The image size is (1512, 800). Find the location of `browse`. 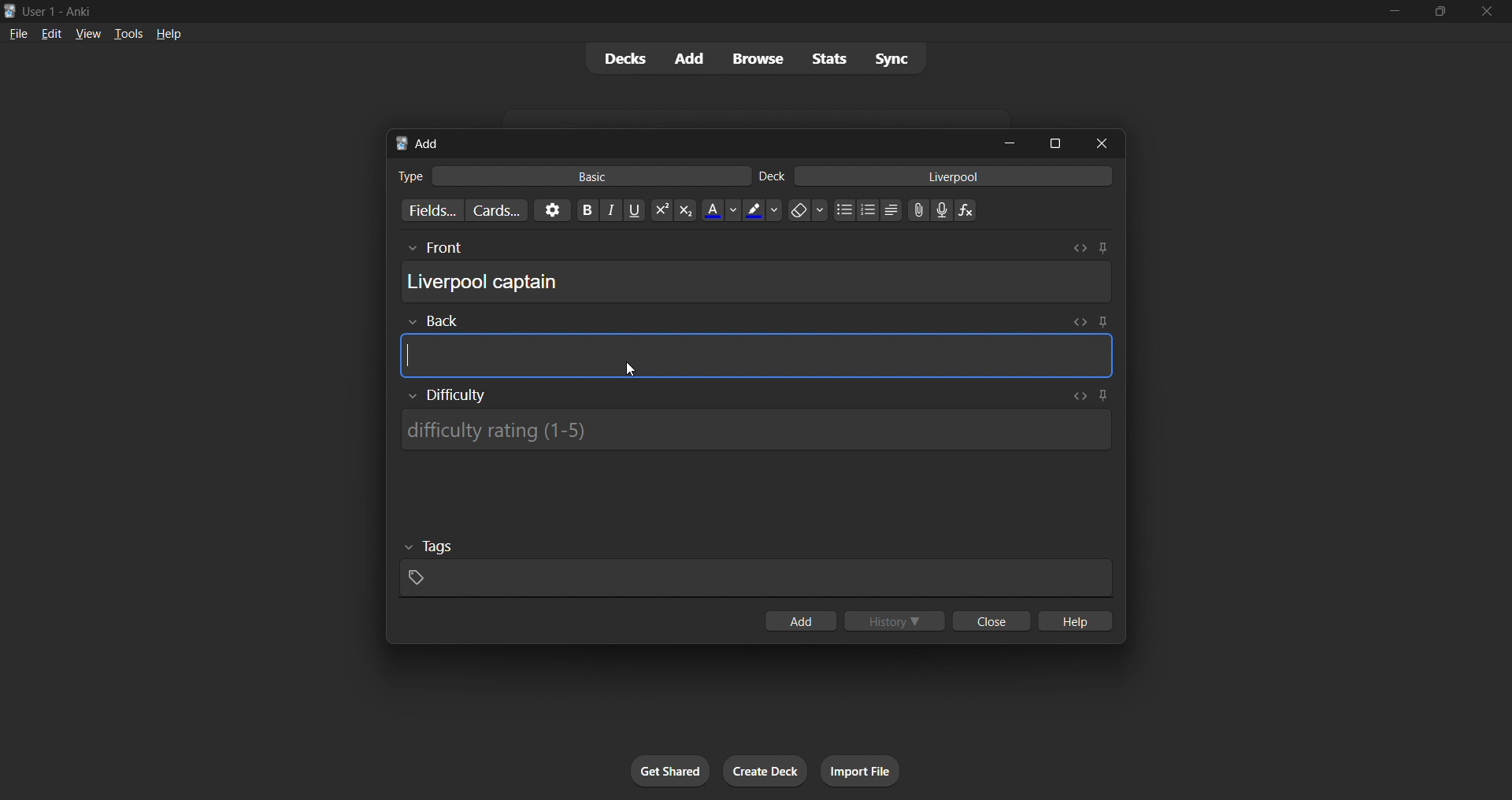

browse is located at coordinates (758, 58).